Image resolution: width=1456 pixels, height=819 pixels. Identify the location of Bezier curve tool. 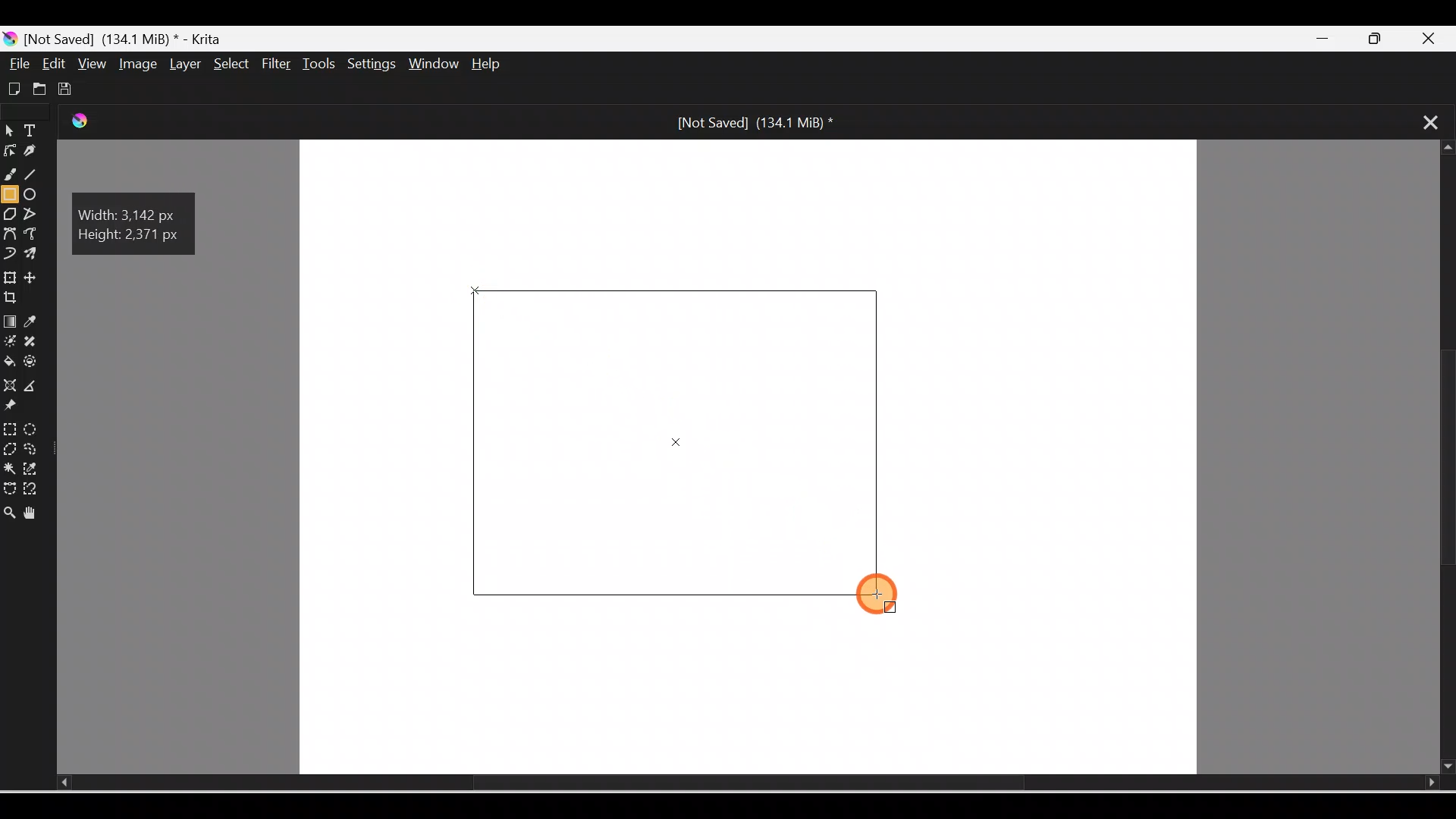
(11, 233).